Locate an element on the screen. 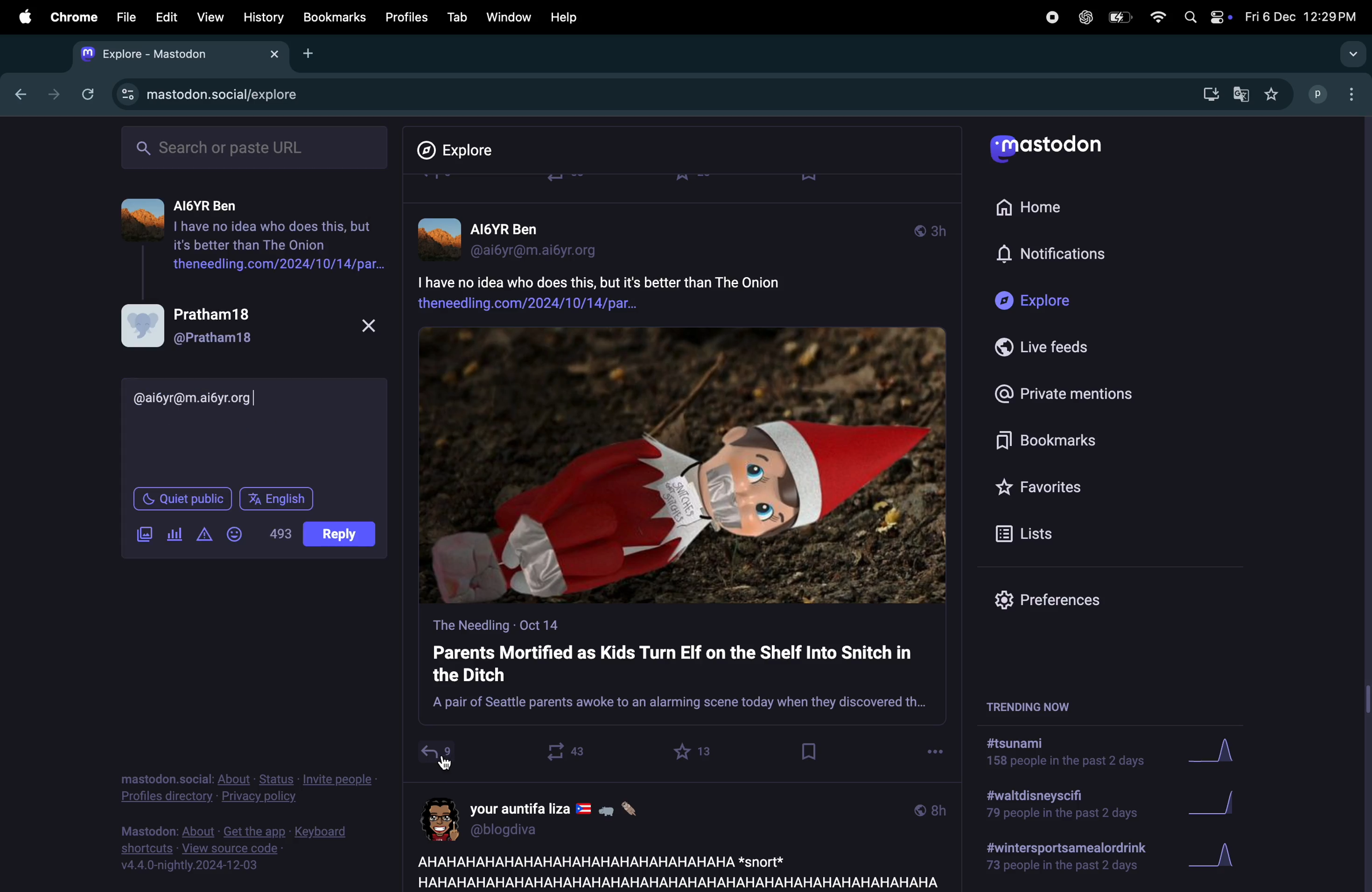  drop down is located at coordinates (1349, 55).